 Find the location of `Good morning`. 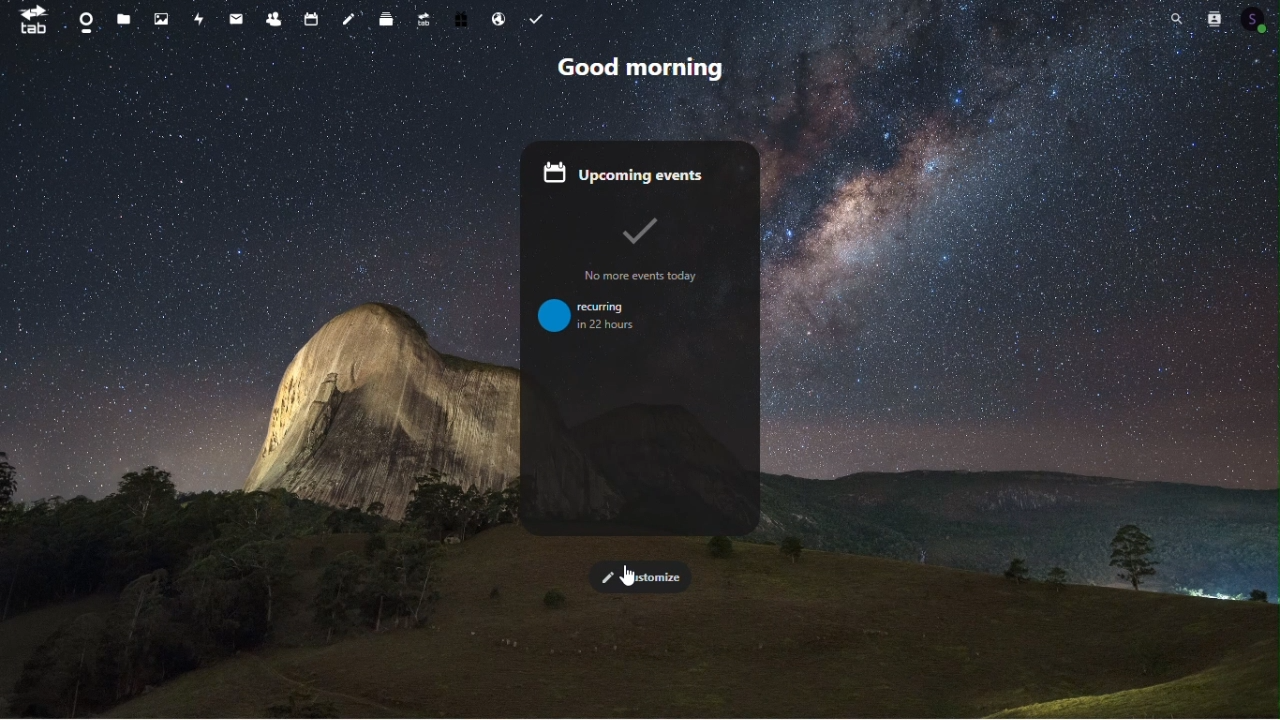

Good morning is located at coordinates (639, 68).